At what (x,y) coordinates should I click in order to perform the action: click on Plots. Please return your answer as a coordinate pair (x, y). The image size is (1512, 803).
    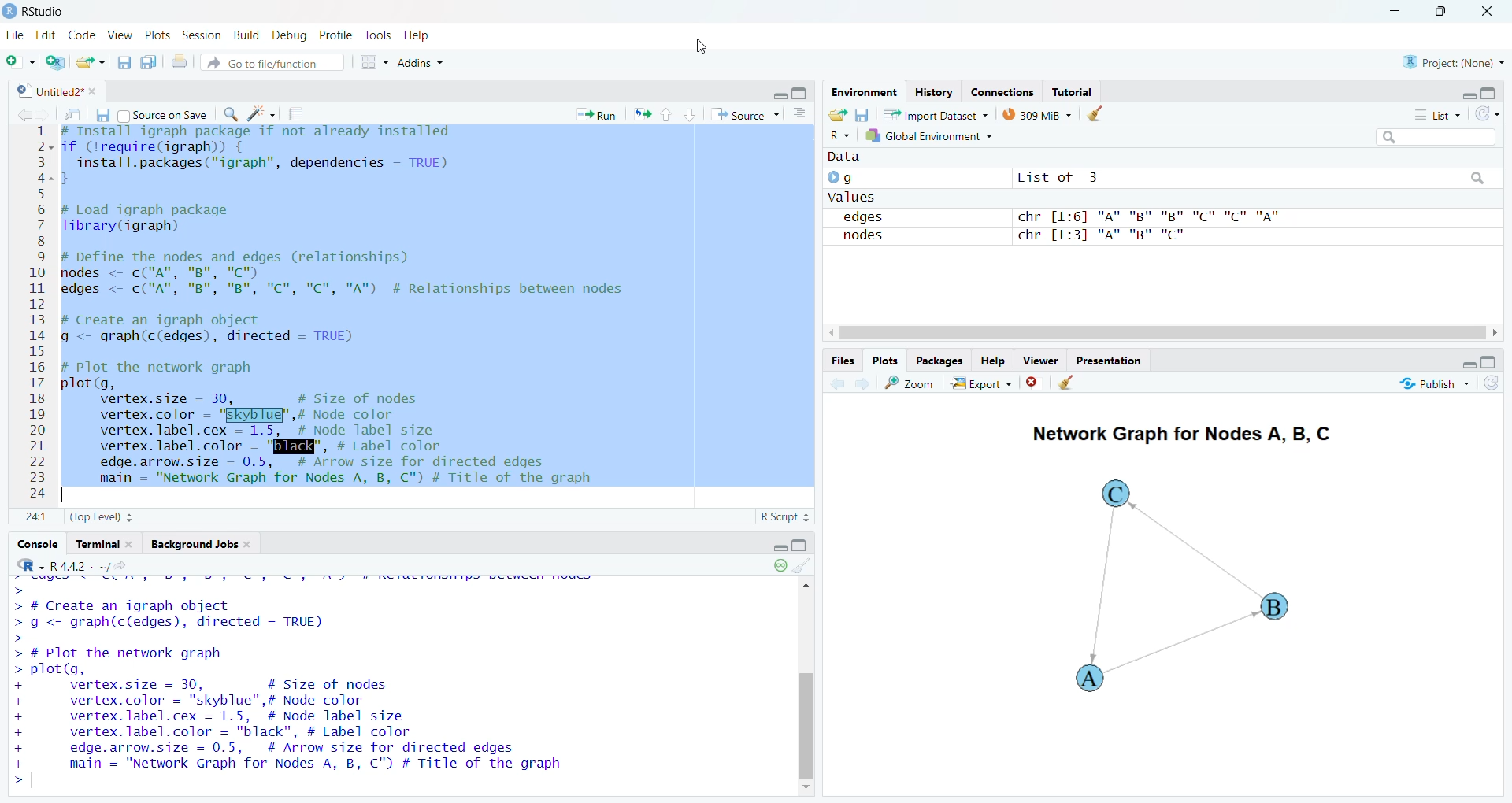
    Looking at the image, I should click on (155, 35).